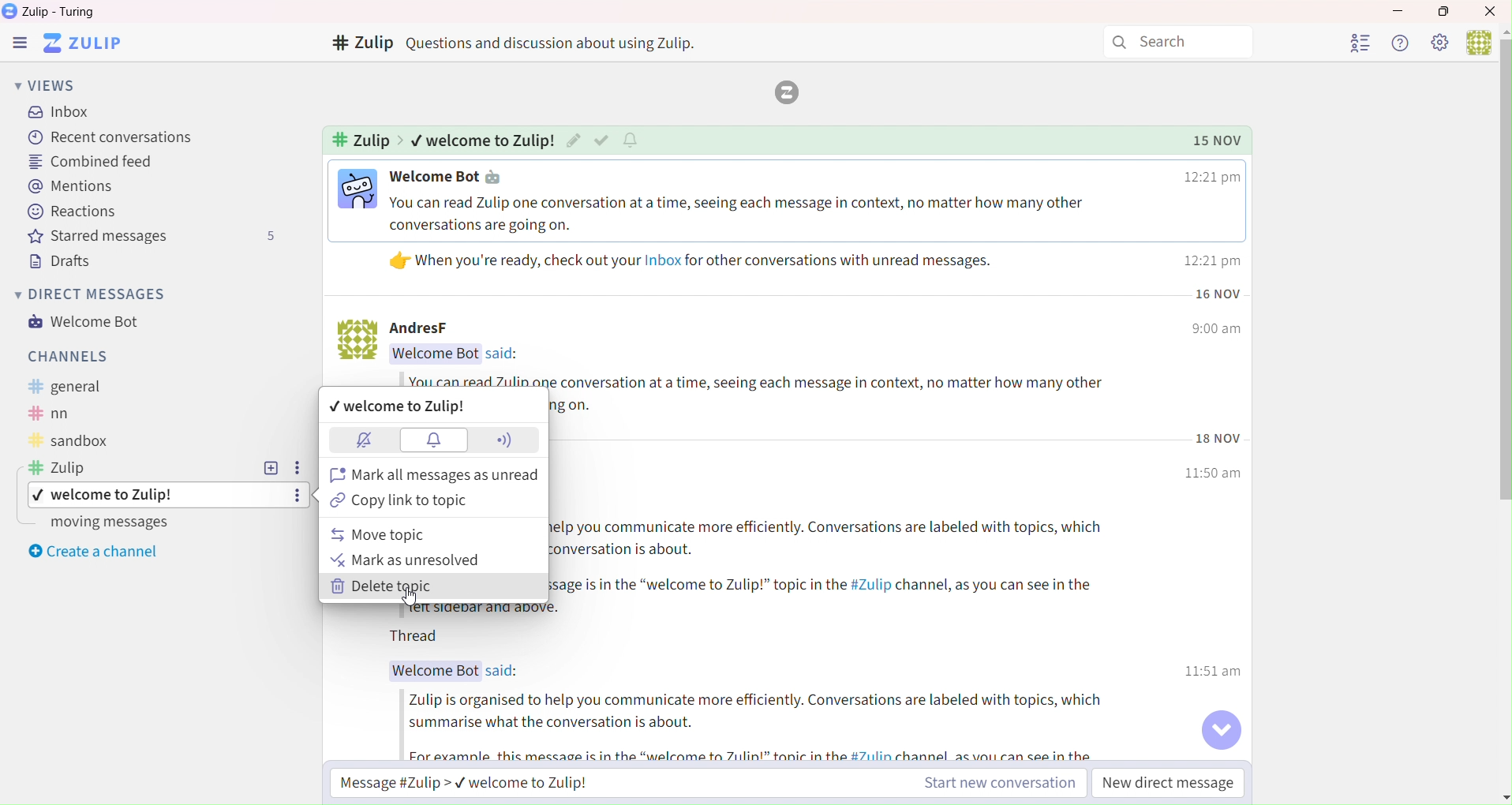 This screenshot has width=1512, height=805. I want to click on Help, so click(1403, 45).